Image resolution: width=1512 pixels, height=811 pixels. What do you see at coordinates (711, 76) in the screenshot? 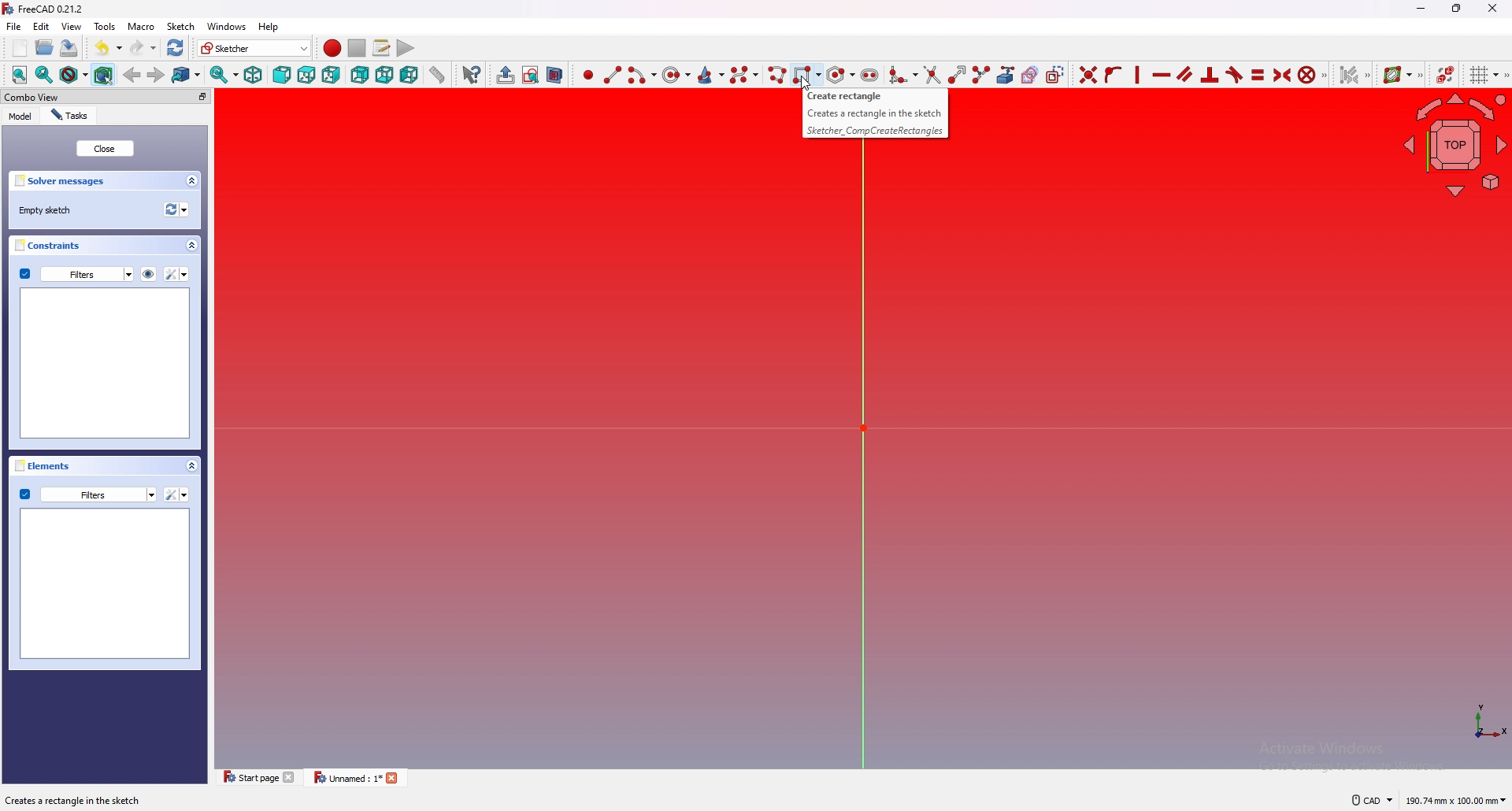
I see `create conic` at bounding box center [711, 76].